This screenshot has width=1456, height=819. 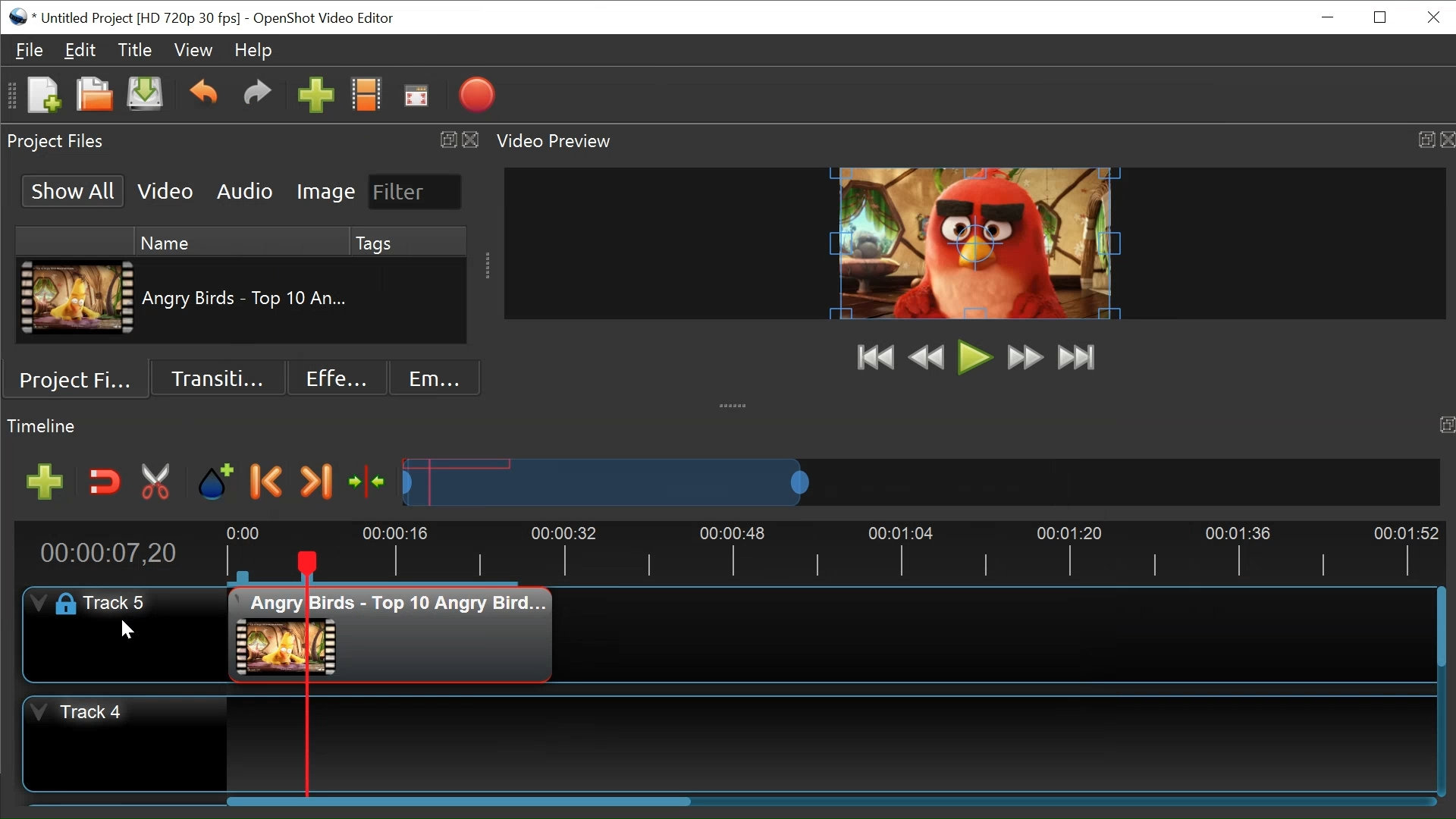 What do you see at coordinates (44, 96) in the screenshot?
I see `New File` at bounding box center [44, 96].